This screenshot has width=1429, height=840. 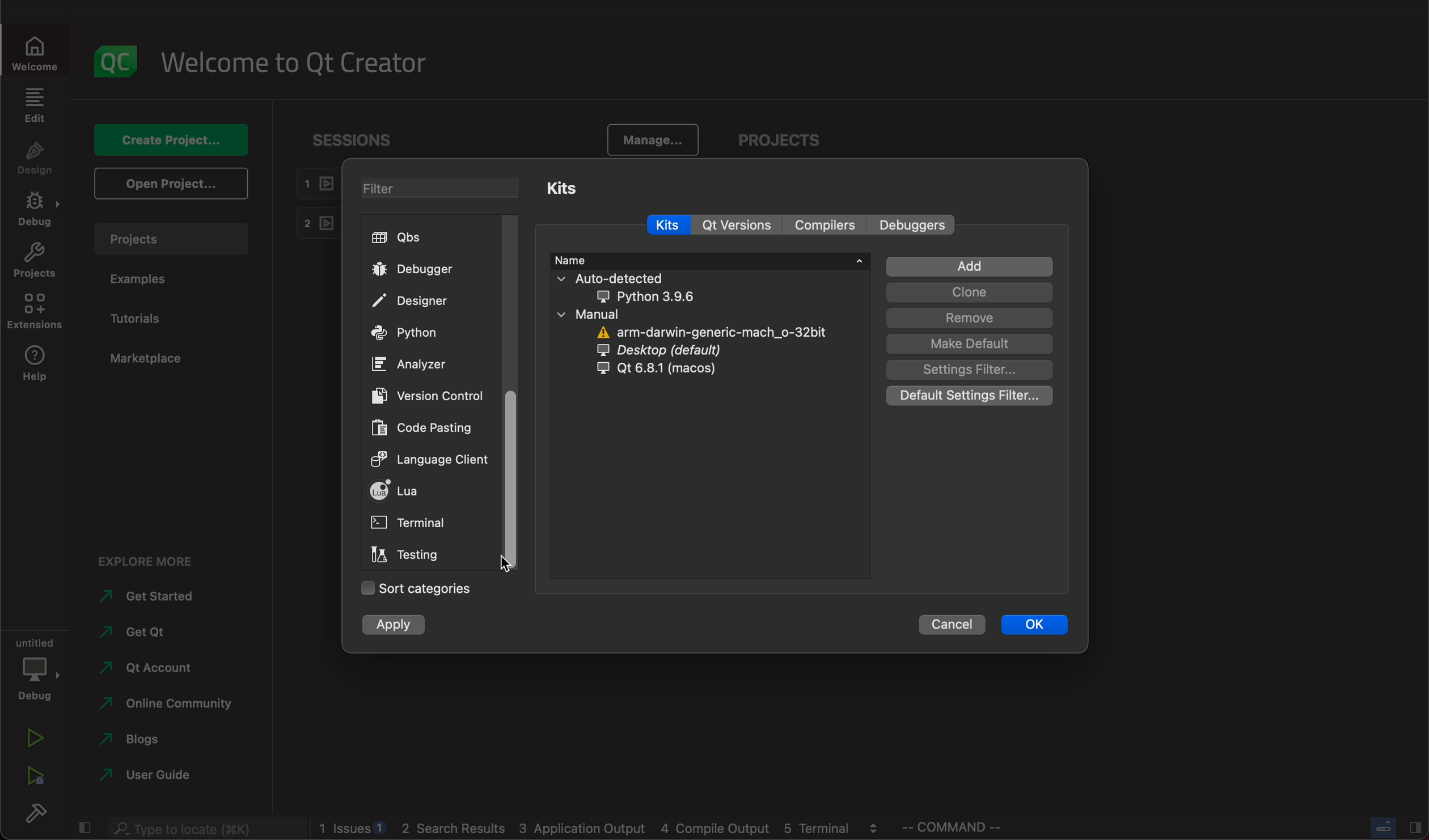 What do you see at coordinates (408, 524) in the screenshot?
I see `terminal` at bounding box center [408, 524].